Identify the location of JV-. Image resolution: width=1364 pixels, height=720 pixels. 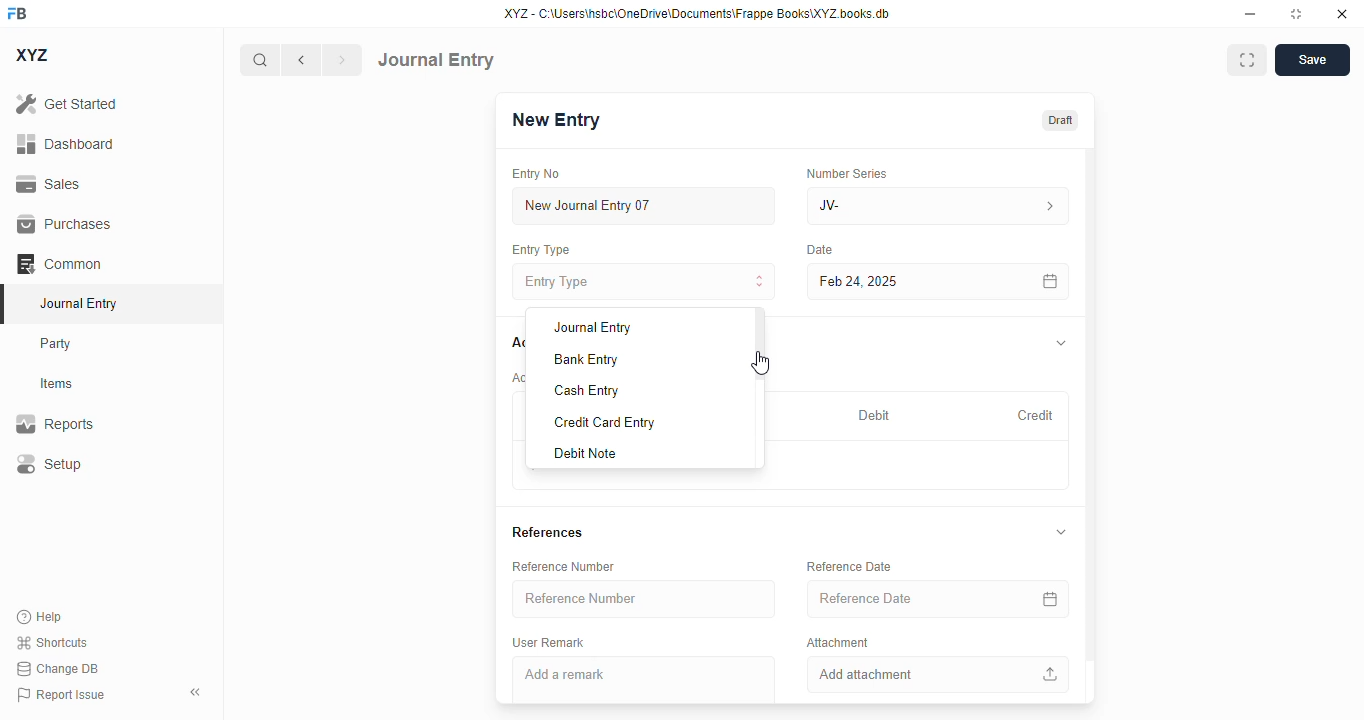
(938, 206).